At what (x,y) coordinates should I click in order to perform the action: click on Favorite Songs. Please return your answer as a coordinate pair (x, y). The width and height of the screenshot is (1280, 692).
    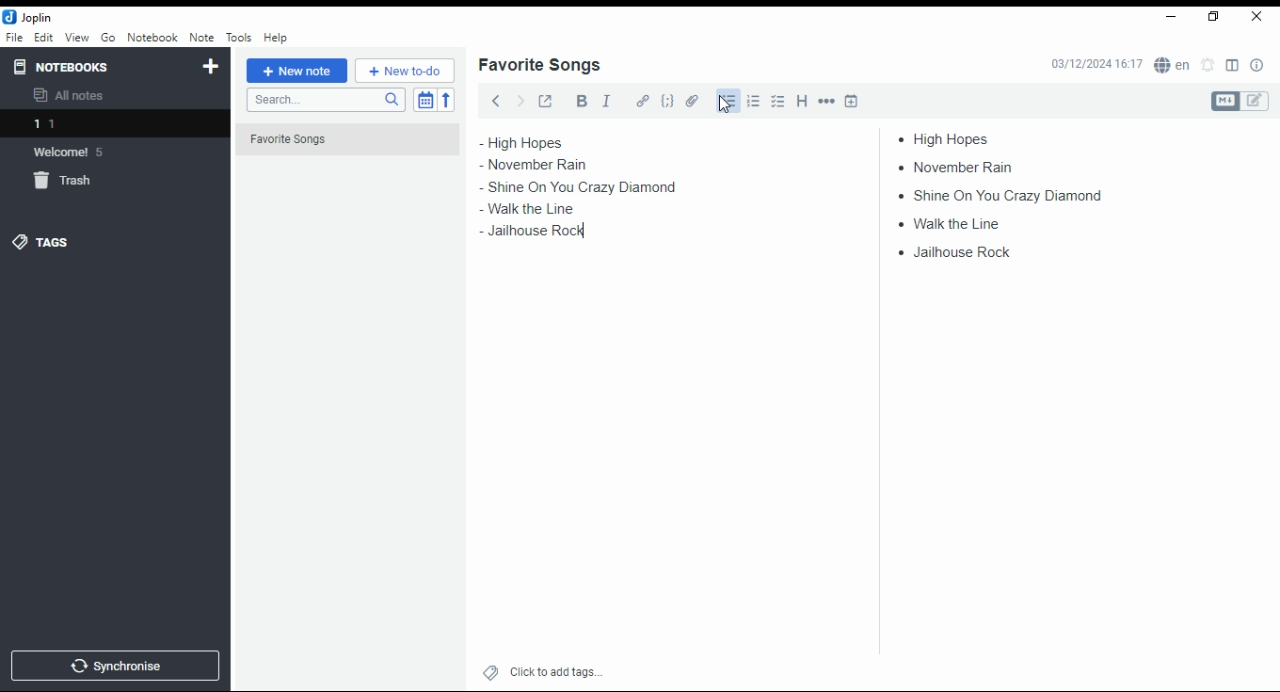
    Looking at the image, I should click on (337, 140).